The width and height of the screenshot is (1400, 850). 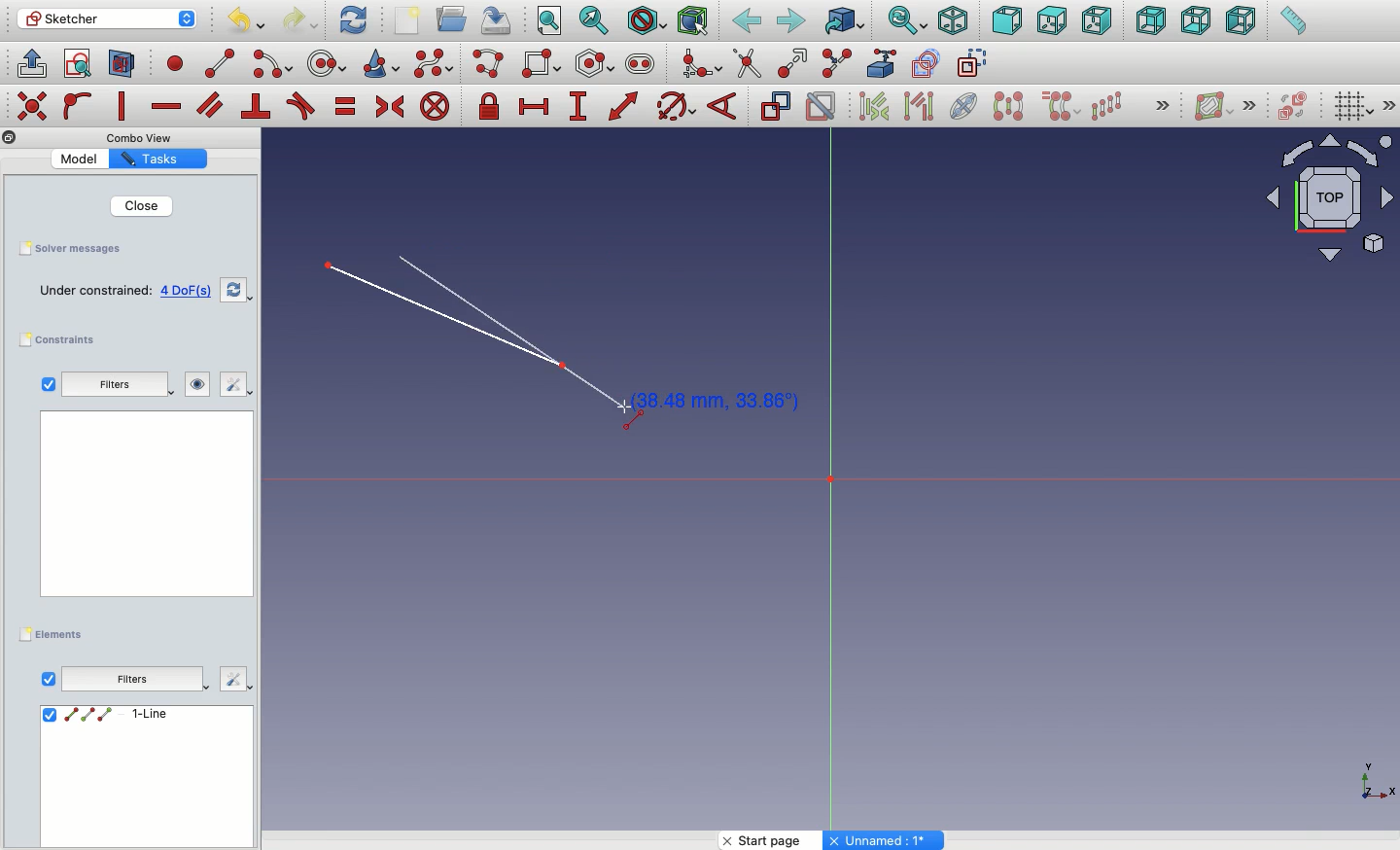 I want to click on Empty sketch, so click(x=123, y=290).